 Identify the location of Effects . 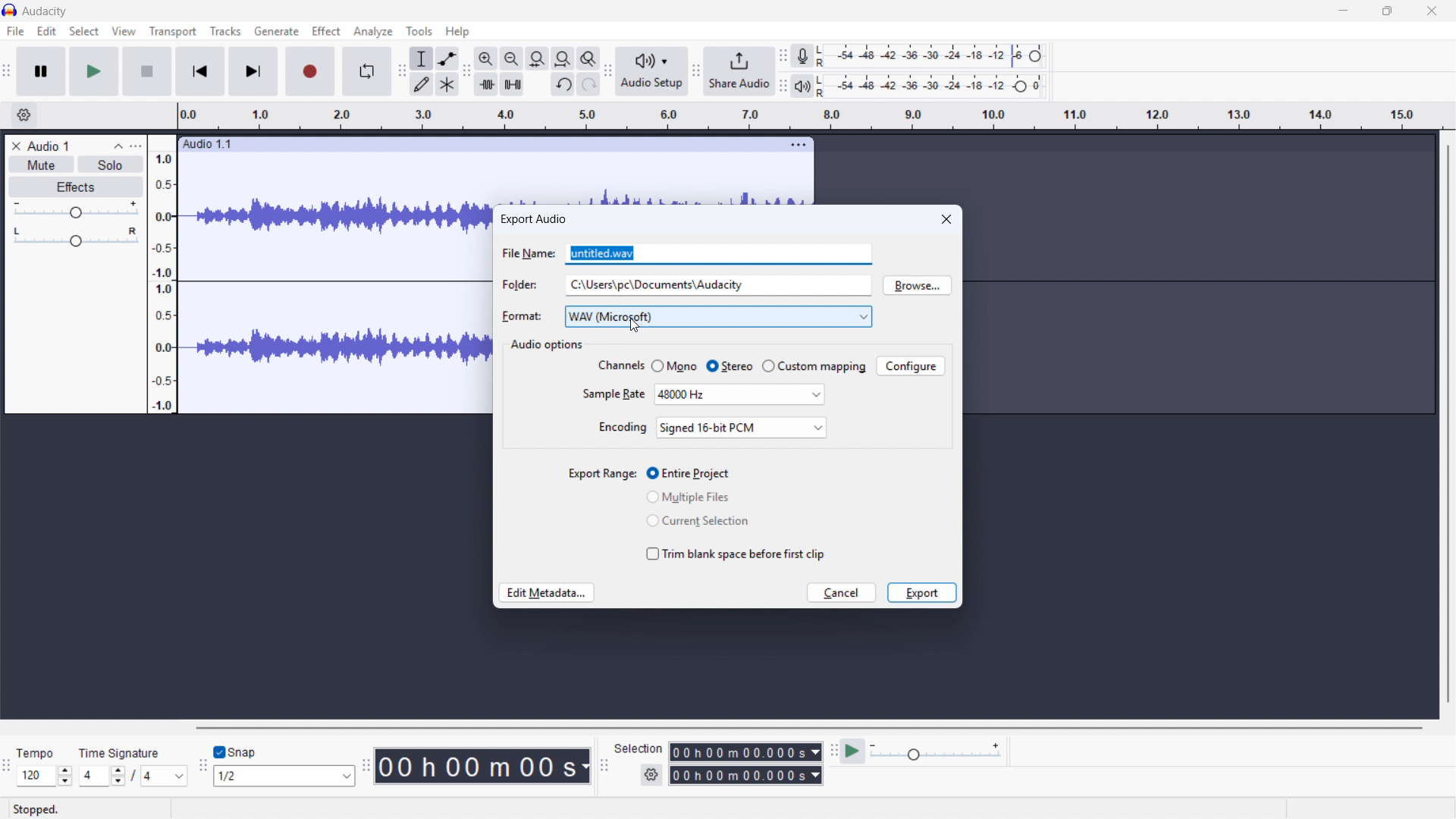
(74, 187).